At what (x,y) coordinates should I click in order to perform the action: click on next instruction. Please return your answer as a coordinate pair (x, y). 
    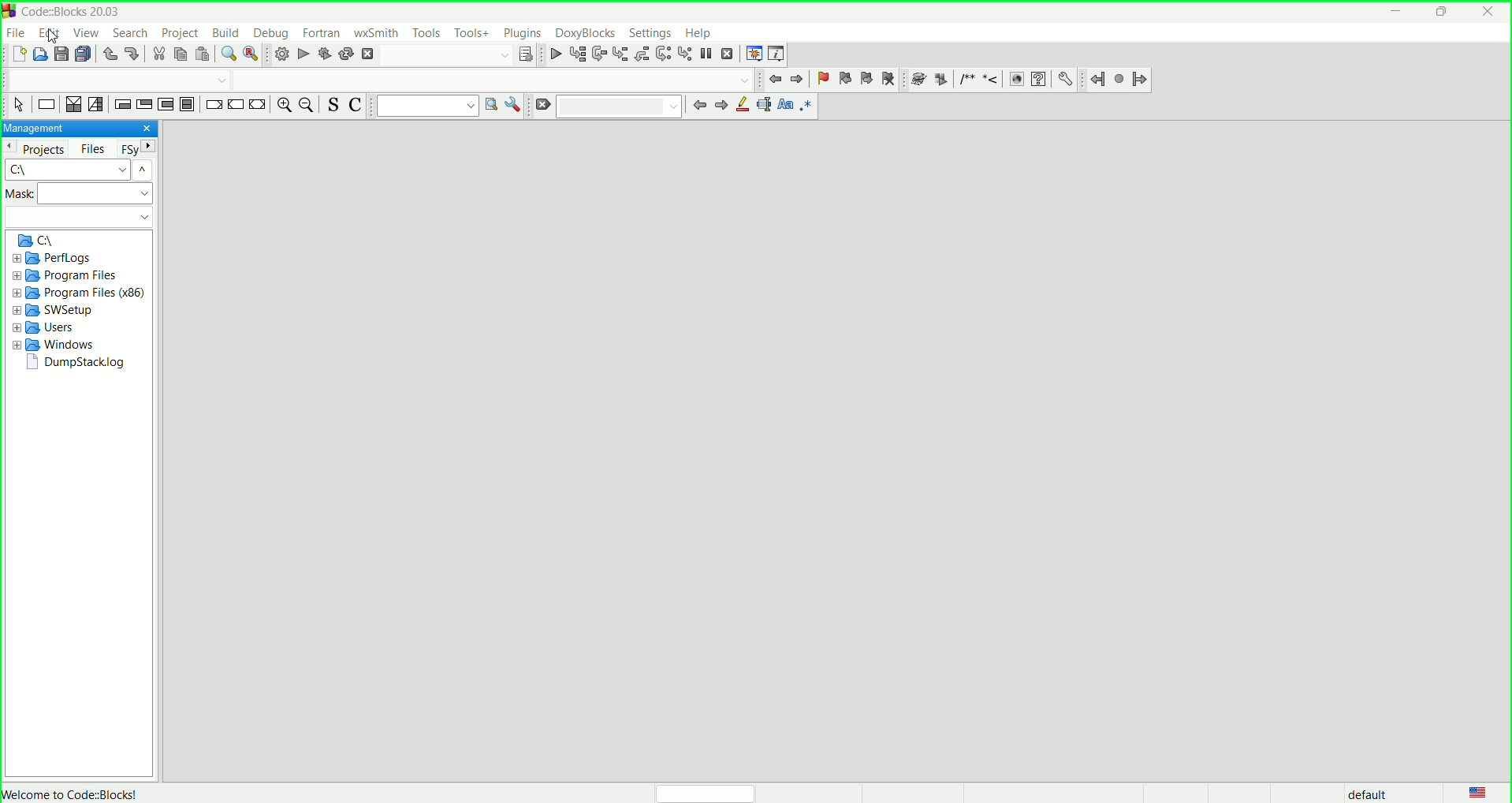
    Looking at the image, I should click on (663, 54).